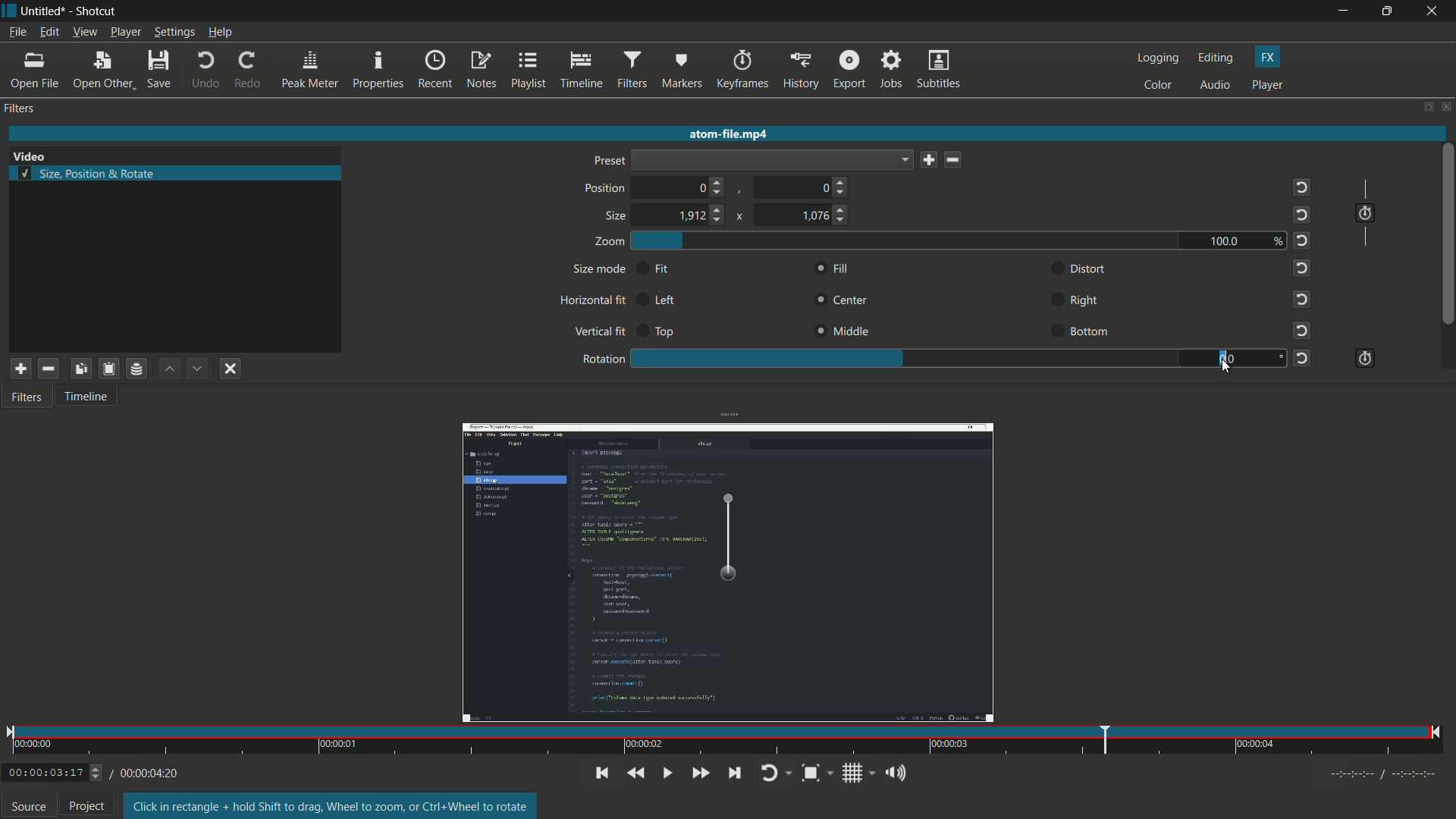  Describe the element at coordinates (844, 301) in the screenshot. I see `center` at that location.